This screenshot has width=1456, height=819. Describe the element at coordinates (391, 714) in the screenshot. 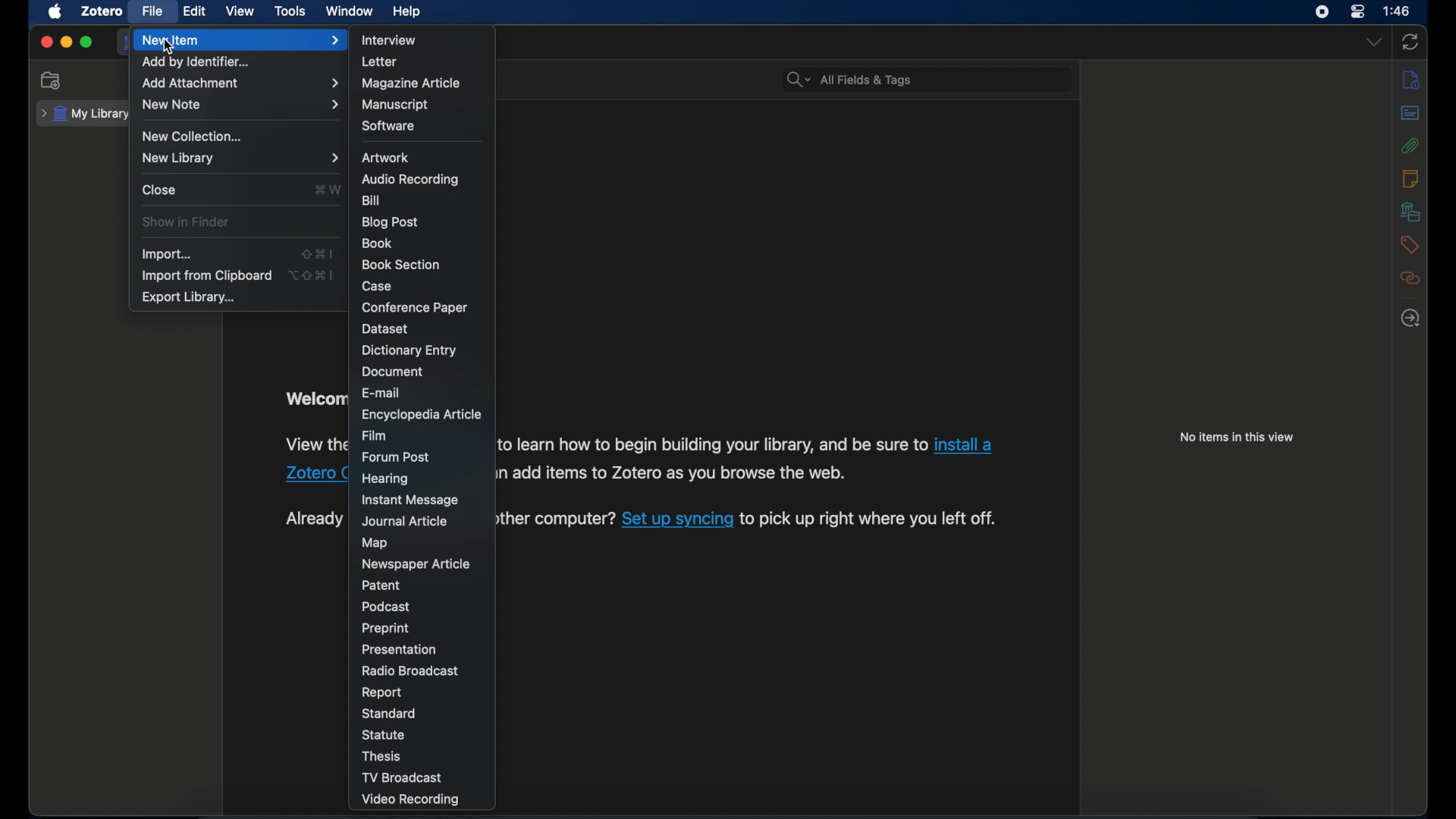

I see `standard` at that location.